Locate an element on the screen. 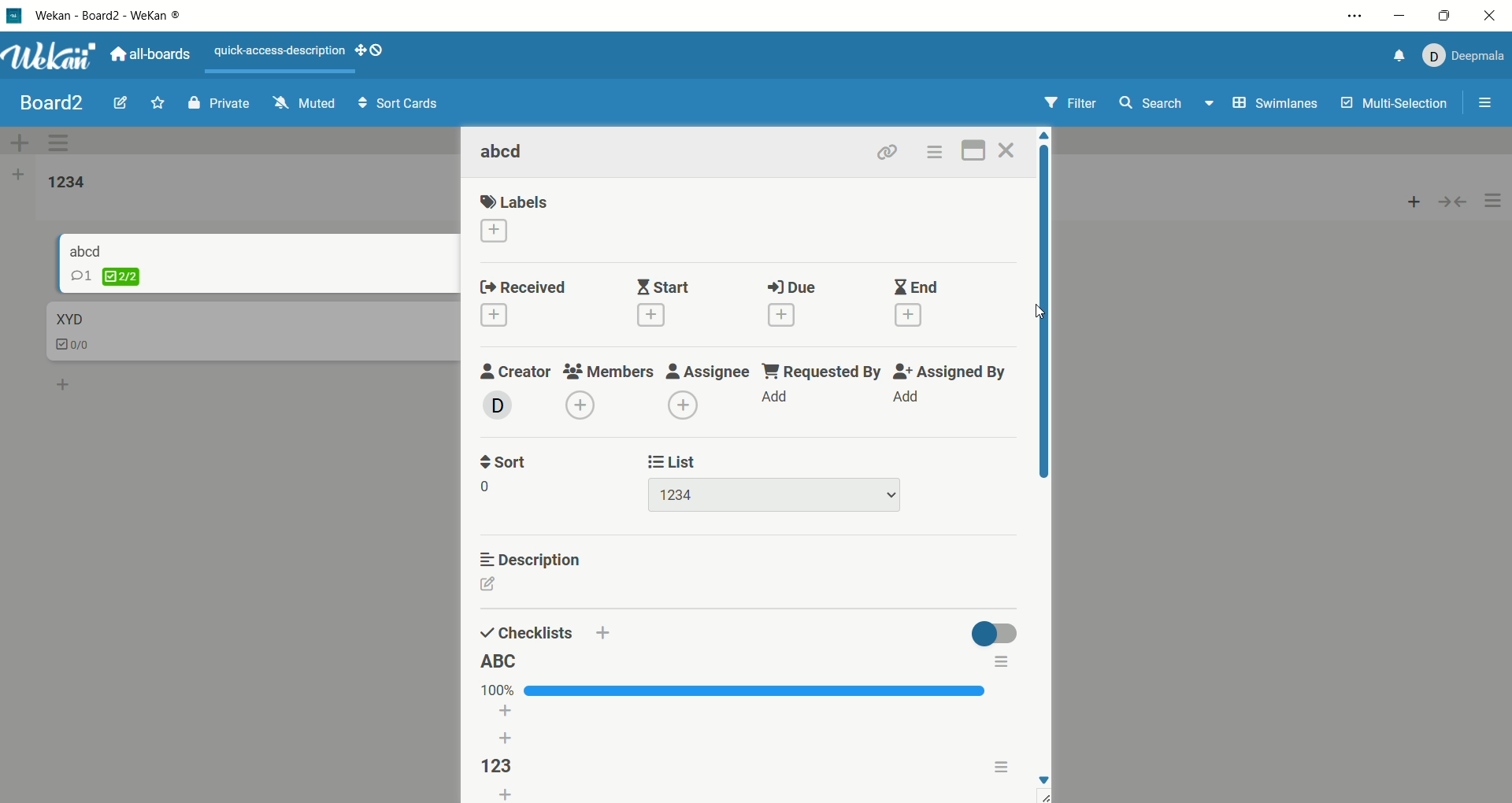  checklist is located at coordinates (75, 346).